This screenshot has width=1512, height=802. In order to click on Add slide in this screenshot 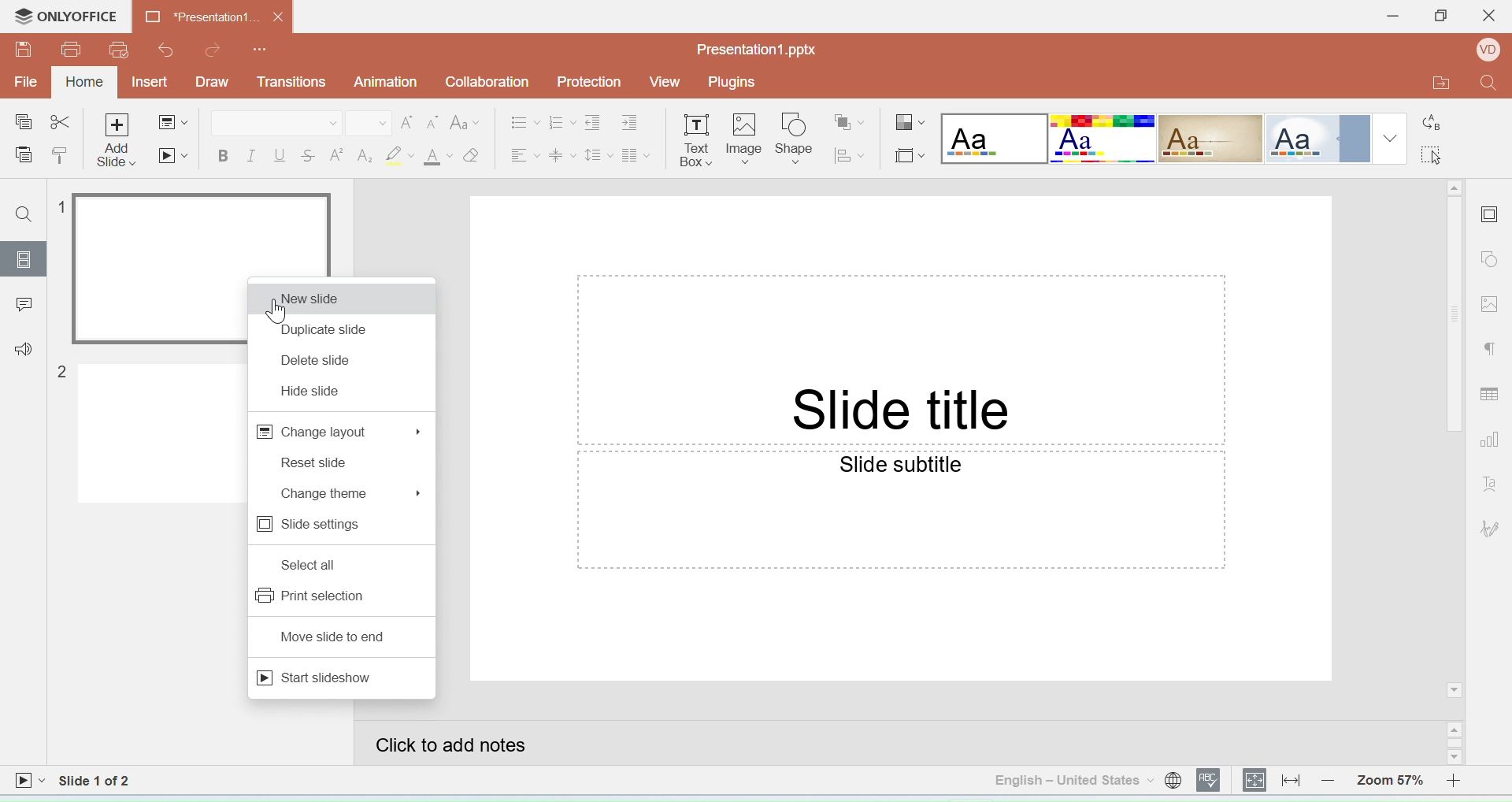, I will do `click(119, 141)`.